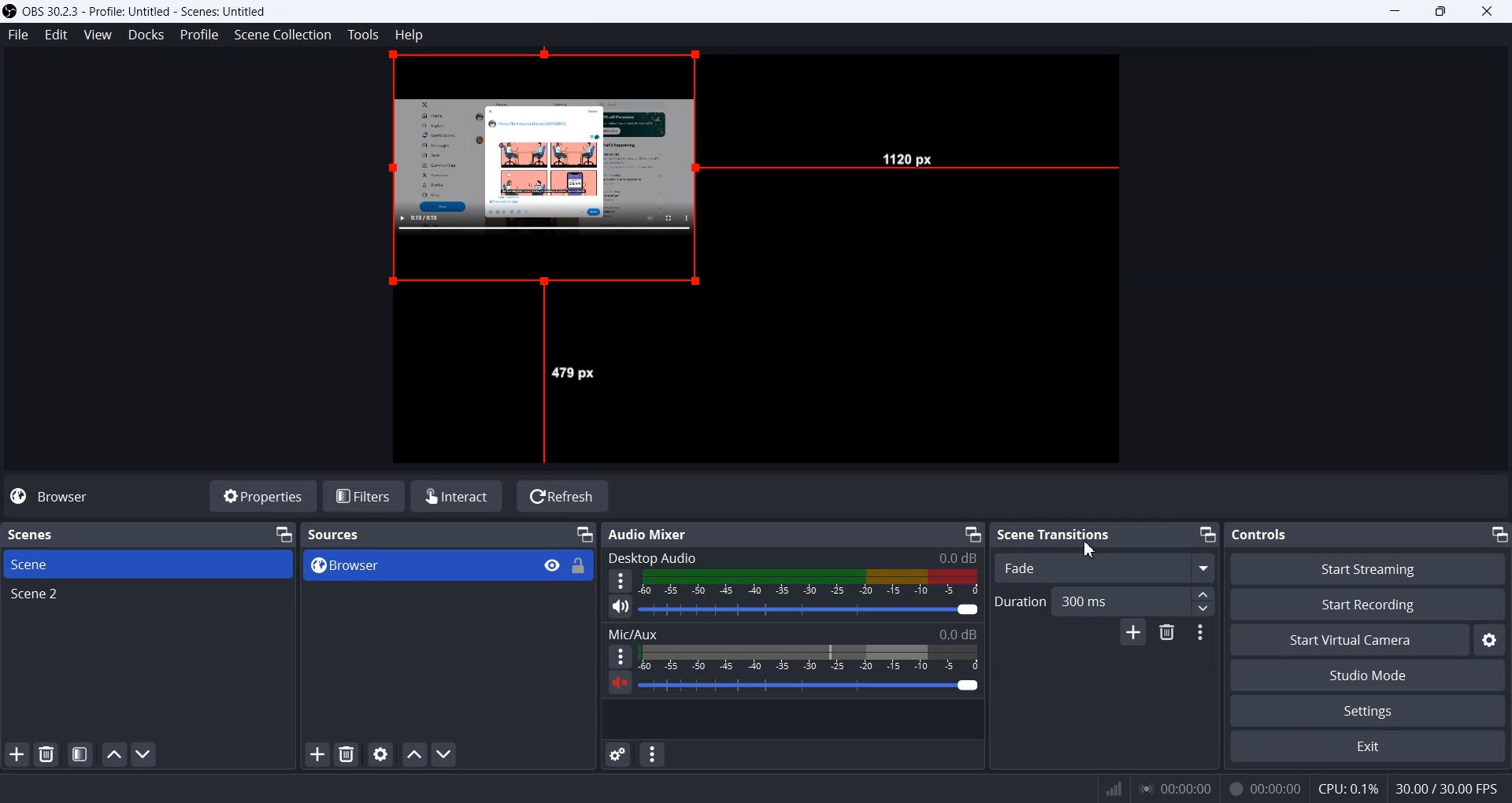 The width and height of the screenshot is (1512, 803). Describe the element at coordinates (363, 35) in the screenshot. I see `Tools` at that location.